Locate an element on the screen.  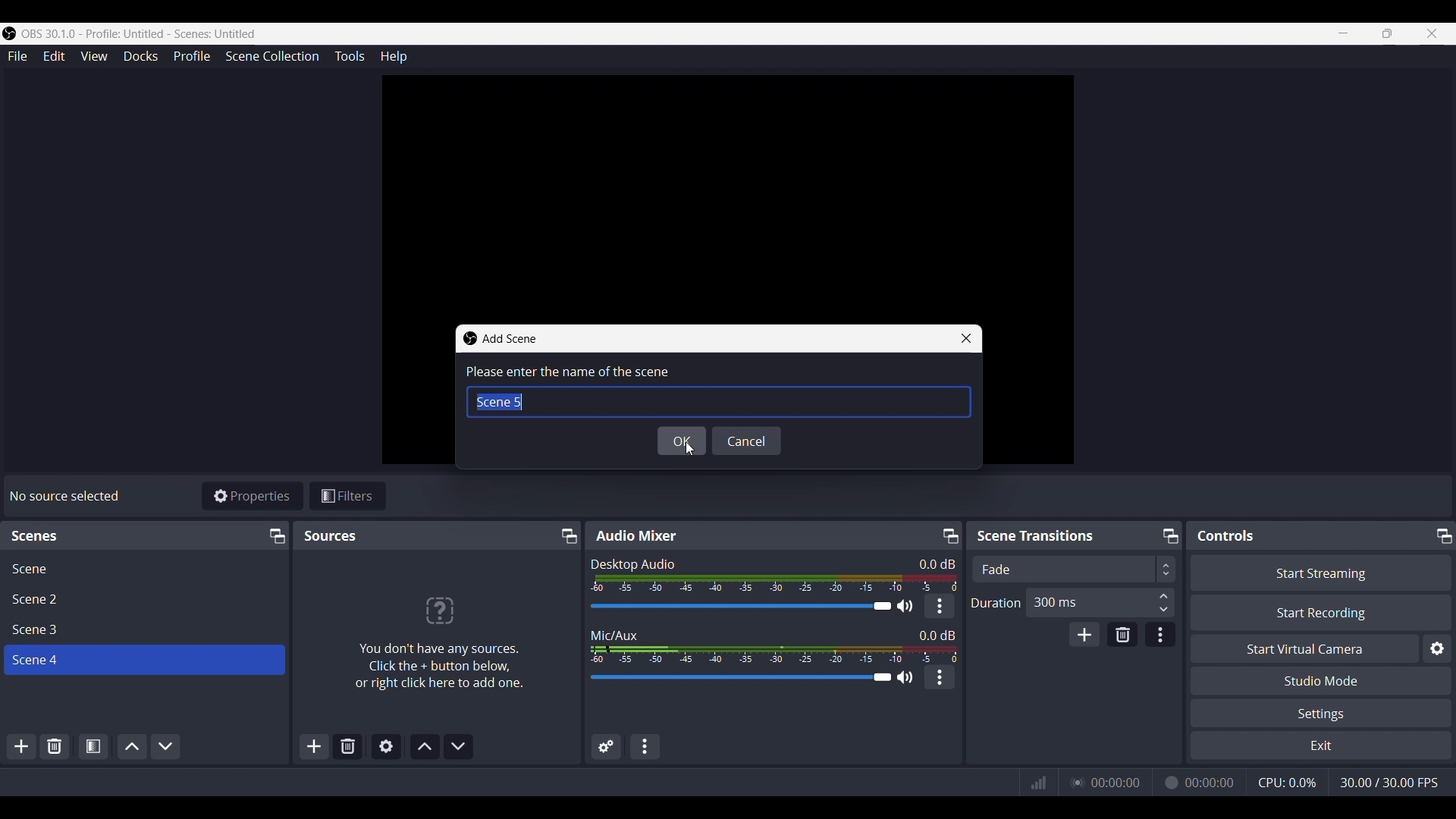
Minimize is located at coordinates (1442, 535).